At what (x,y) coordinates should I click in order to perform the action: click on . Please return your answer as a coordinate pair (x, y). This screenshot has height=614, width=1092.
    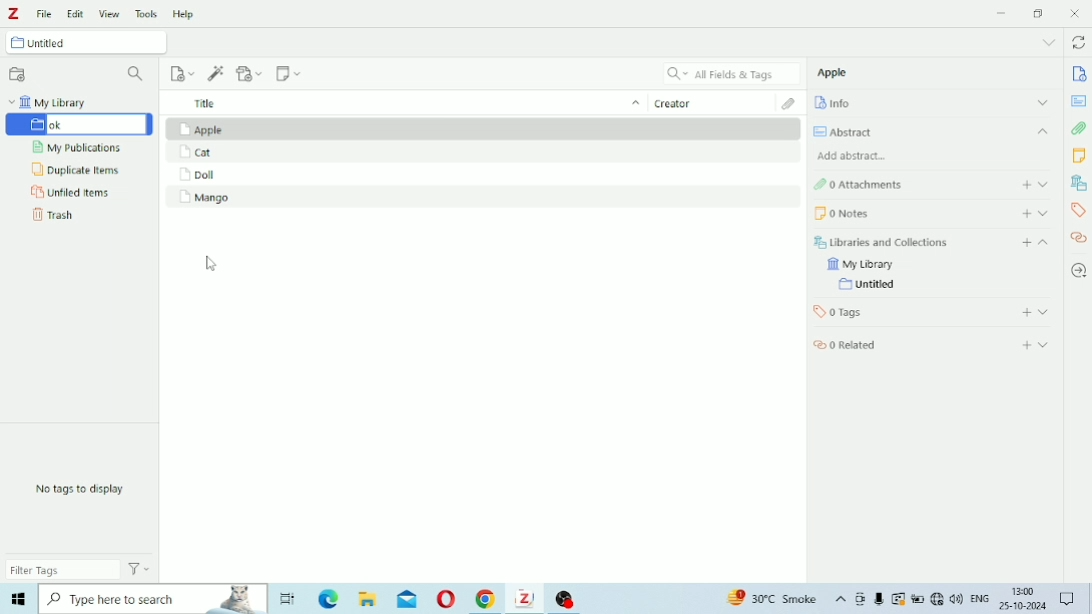
    Looking at the image, I should click on (1067, 598).